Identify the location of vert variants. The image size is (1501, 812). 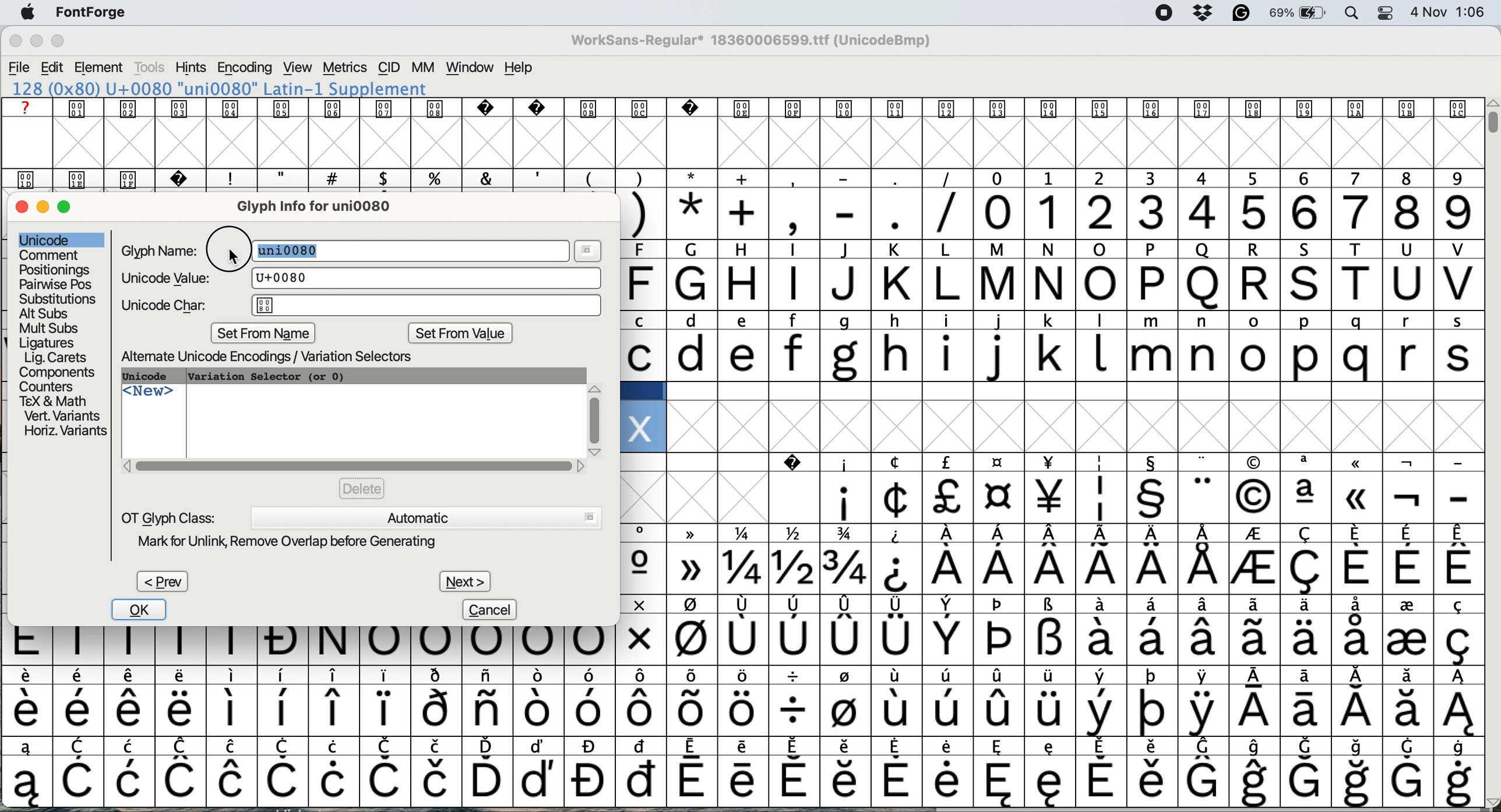
(62, 416).